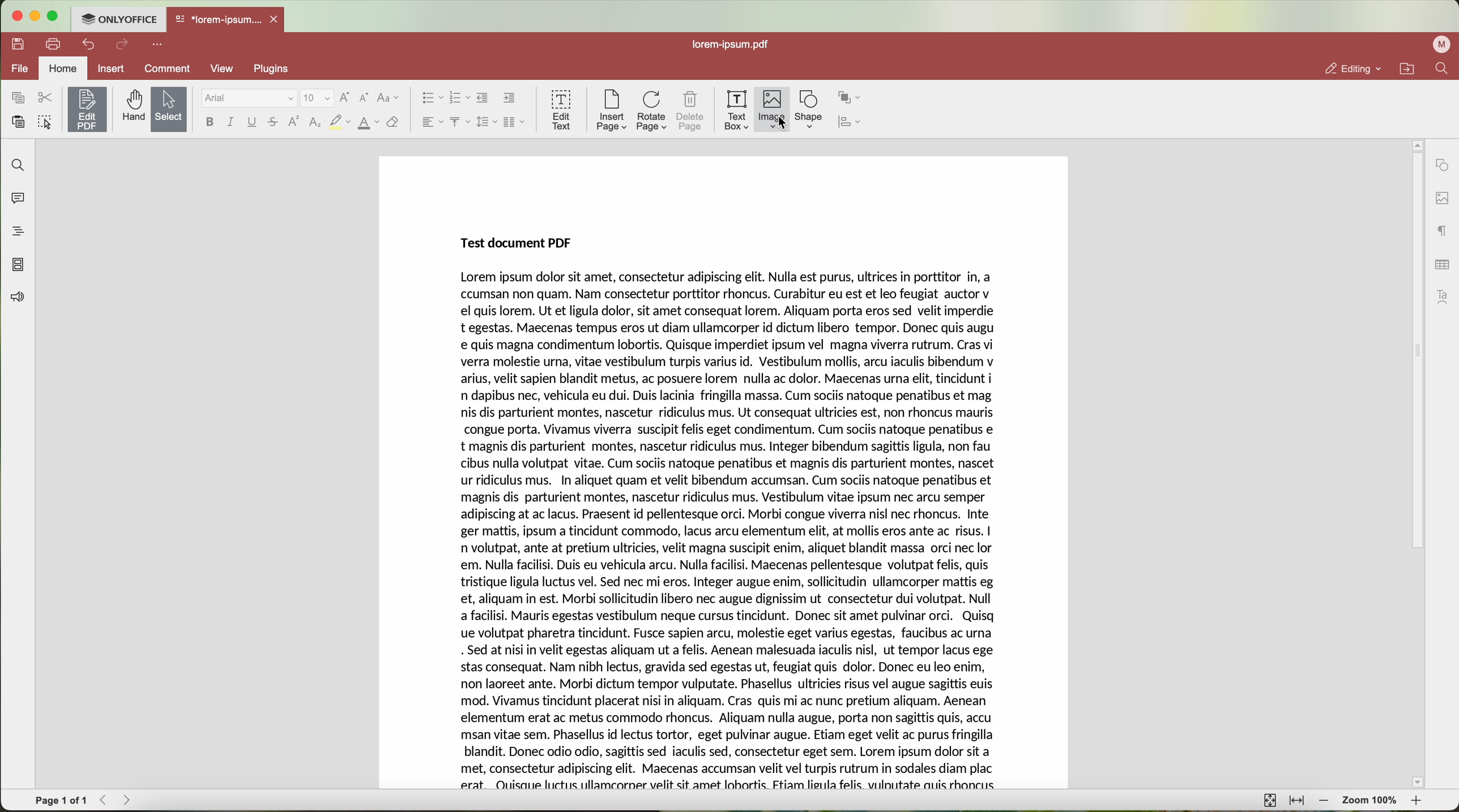  What do you see at coordinates (773, 110) in the screenshot?
I see `Image` at bounding box center [773, 110].